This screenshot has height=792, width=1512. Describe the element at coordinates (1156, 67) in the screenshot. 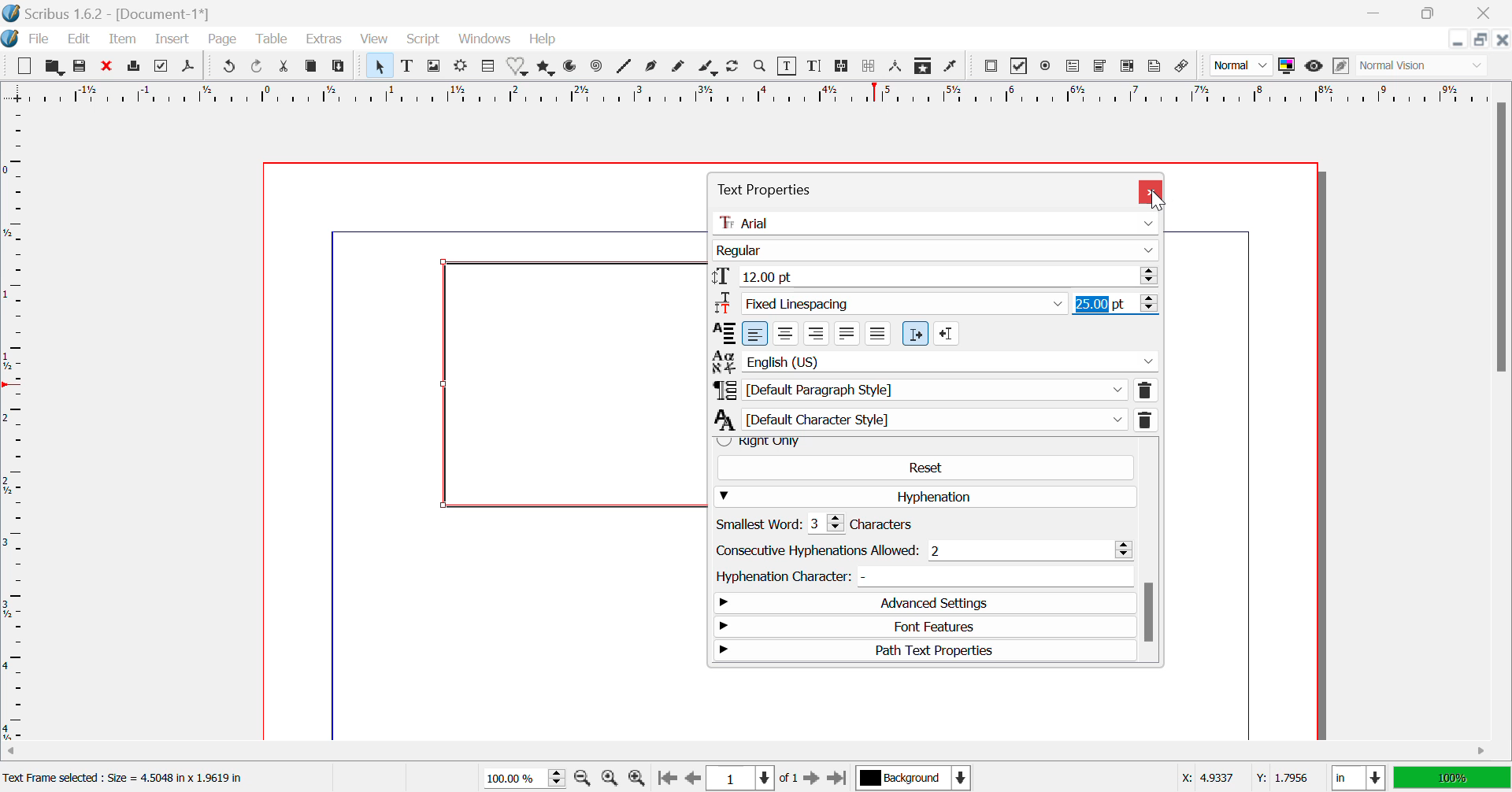

I see `Text Annotation` at that location.